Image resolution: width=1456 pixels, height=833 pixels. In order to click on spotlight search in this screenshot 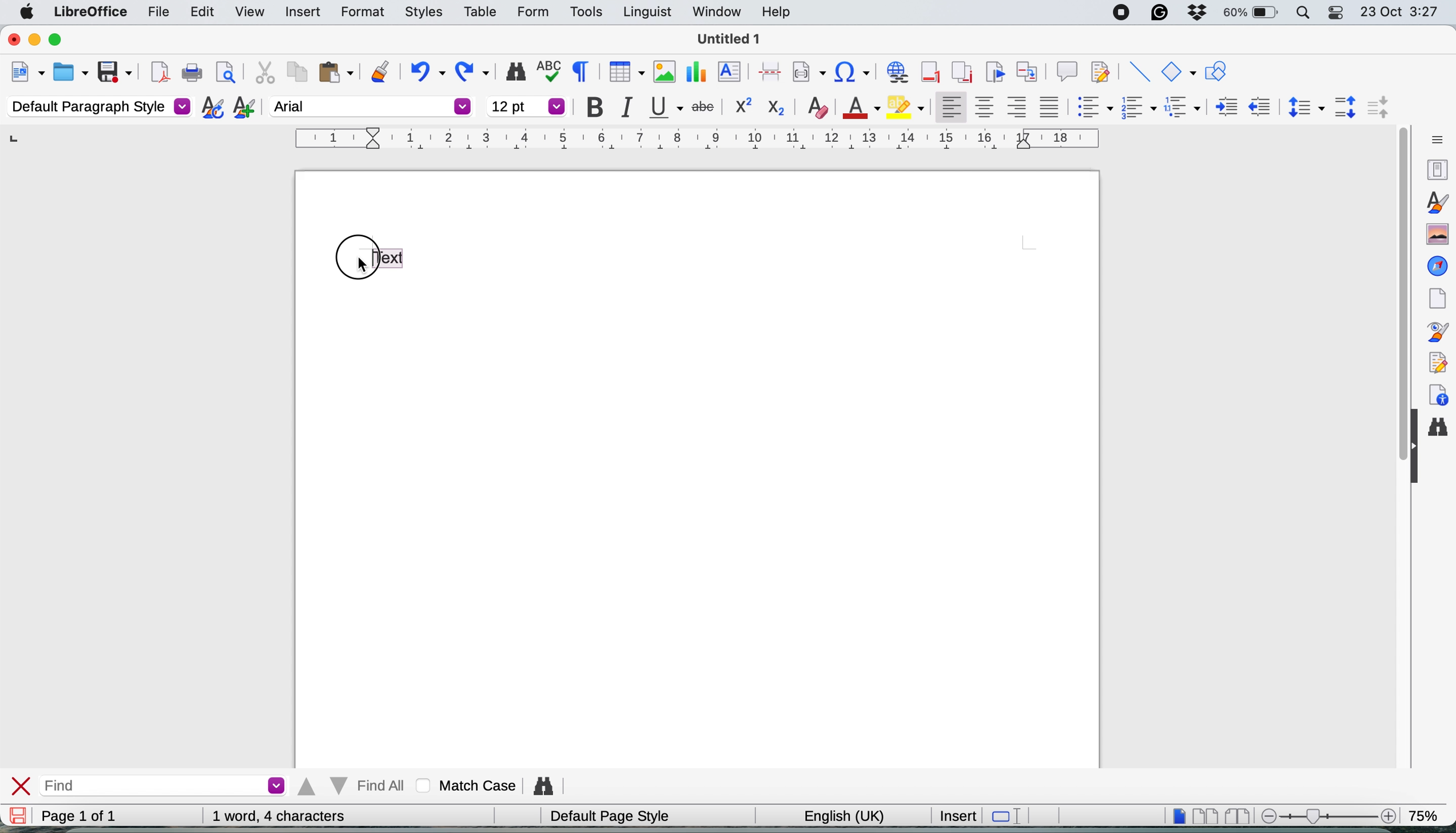, I will do `click(1302, 14)`.